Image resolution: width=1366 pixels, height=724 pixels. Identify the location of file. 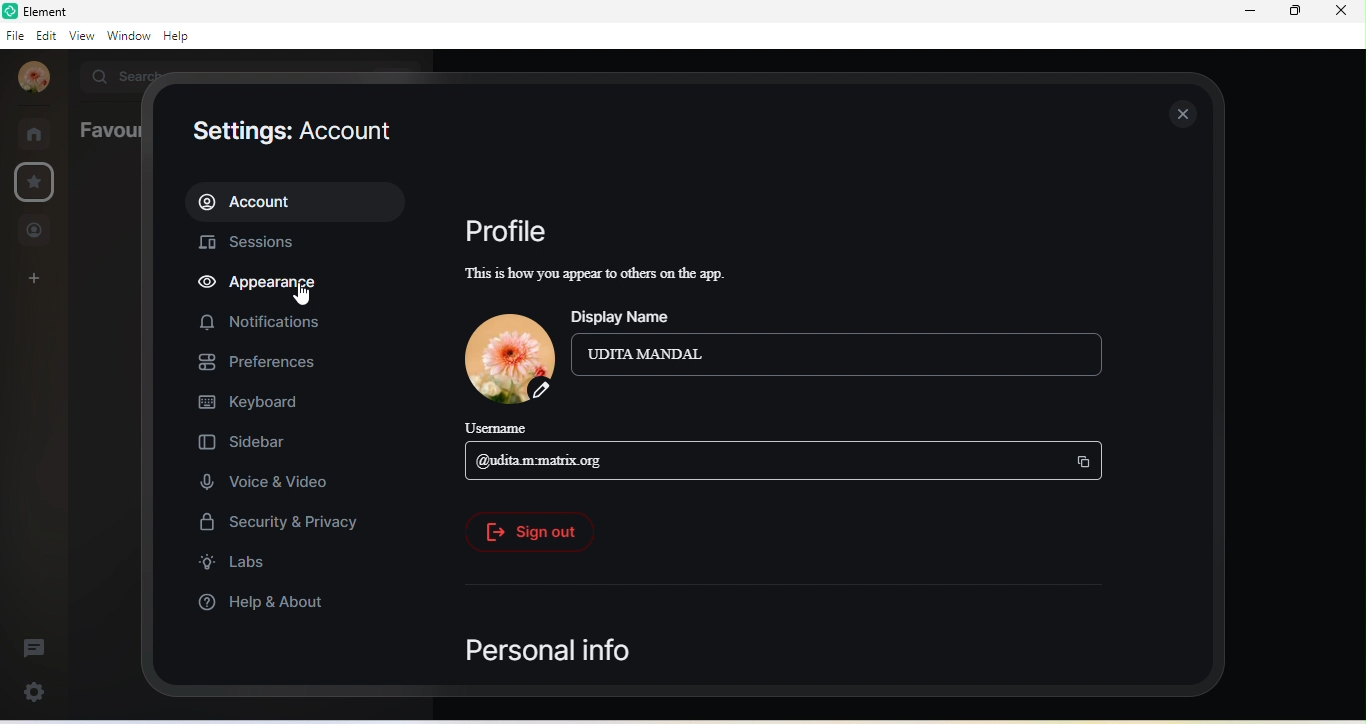
(14, 38).